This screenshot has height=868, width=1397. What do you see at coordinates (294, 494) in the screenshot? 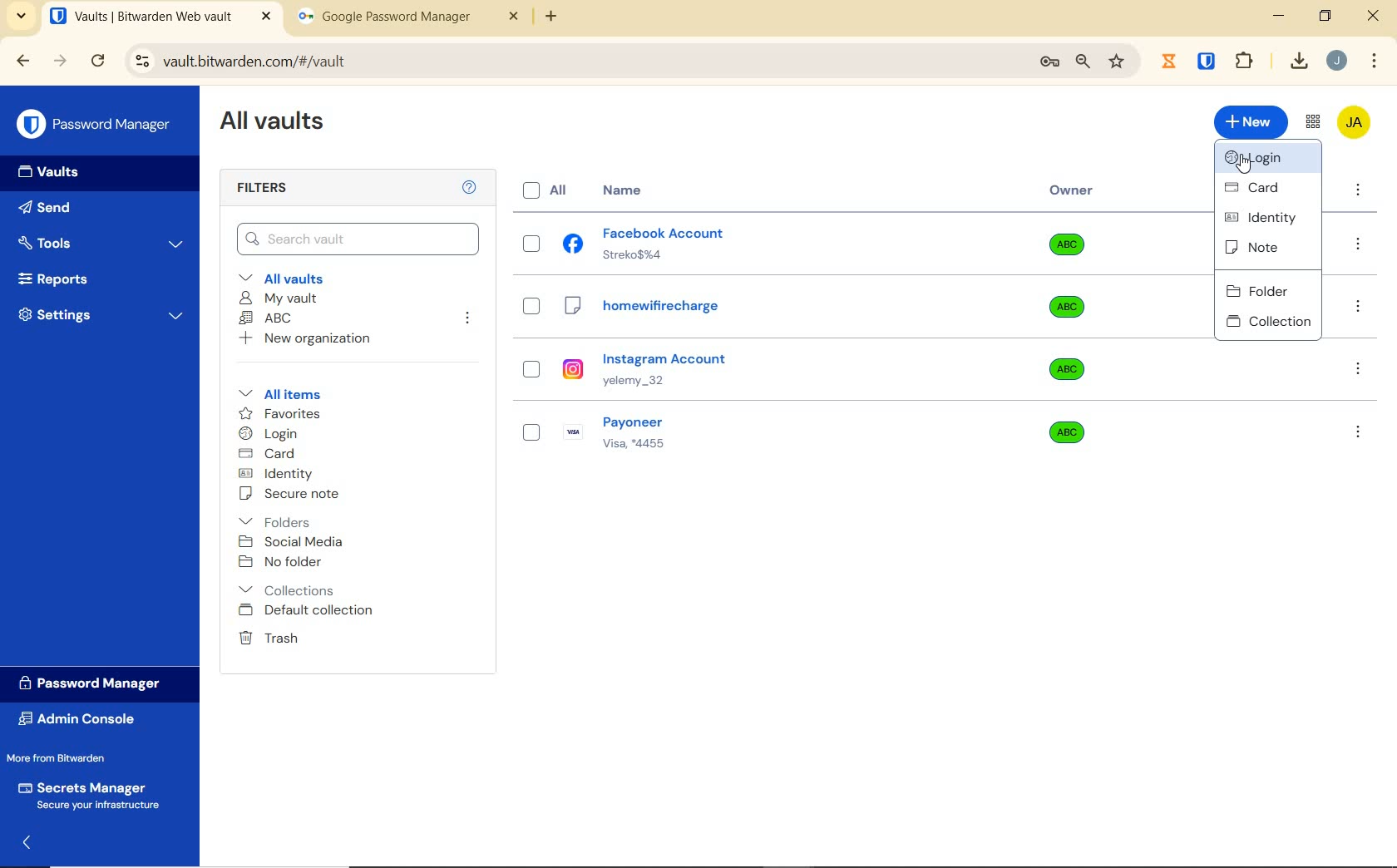
I see `secure note` at bounding box center [294, 494].